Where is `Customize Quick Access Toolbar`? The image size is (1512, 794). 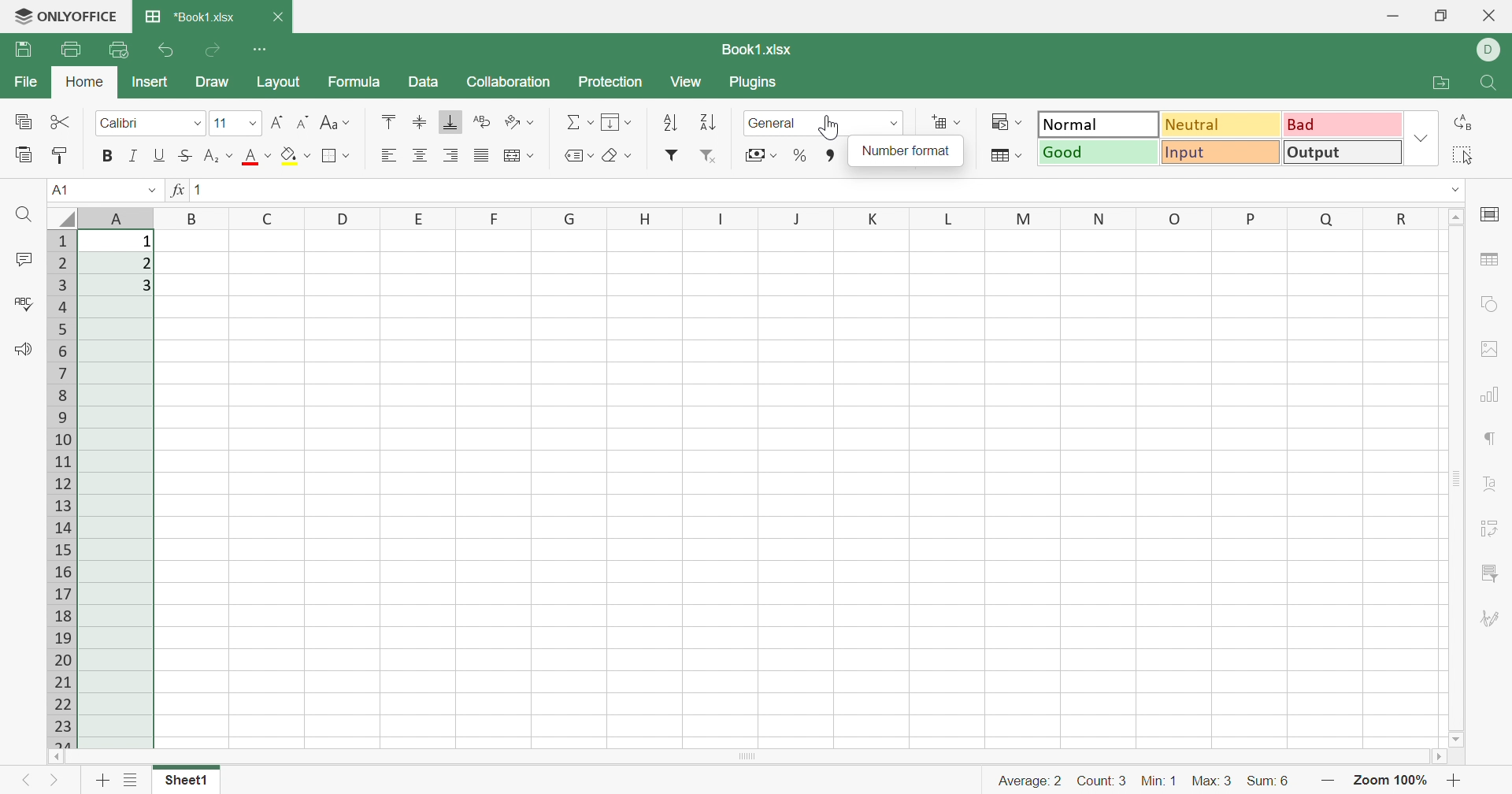
Customize Quick Access Toolbar is located at coordinates (261, 47).